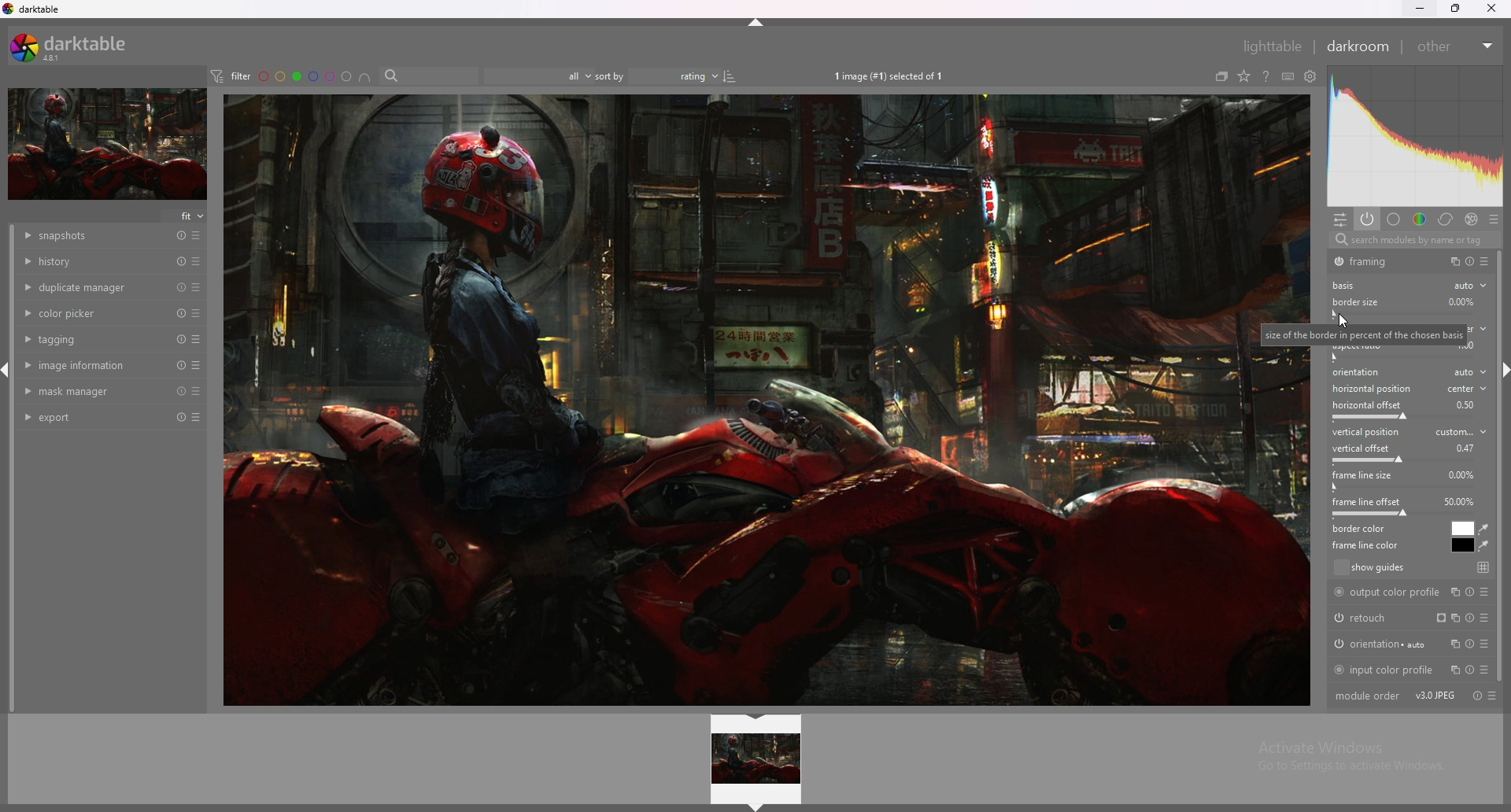  What do you see at coordinates (1406, 316) in the screenshot?
I see `border size bar` at bounding box center [1406, 316].